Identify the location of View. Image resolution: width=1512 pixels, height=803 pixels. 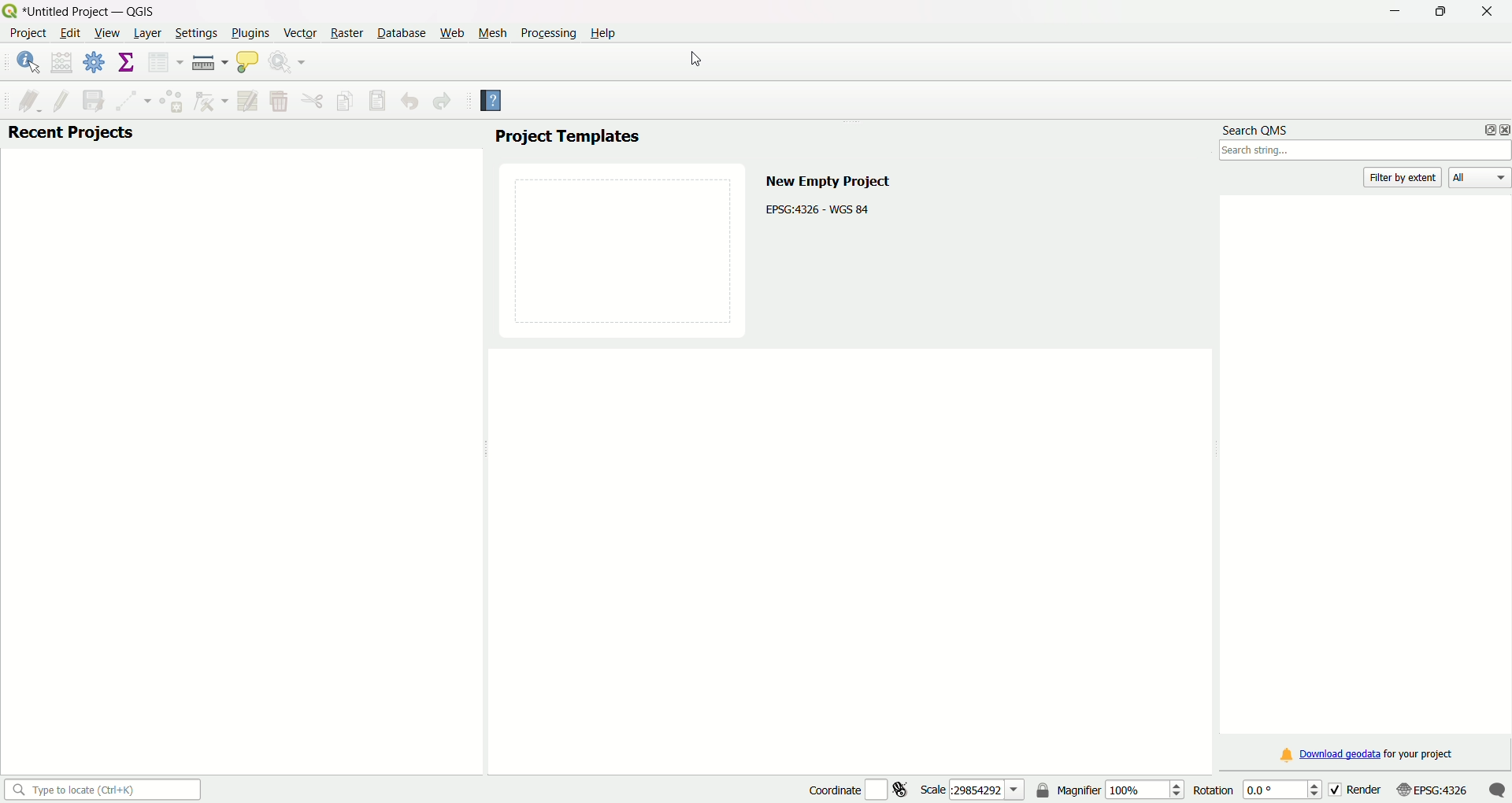
(107, 35).